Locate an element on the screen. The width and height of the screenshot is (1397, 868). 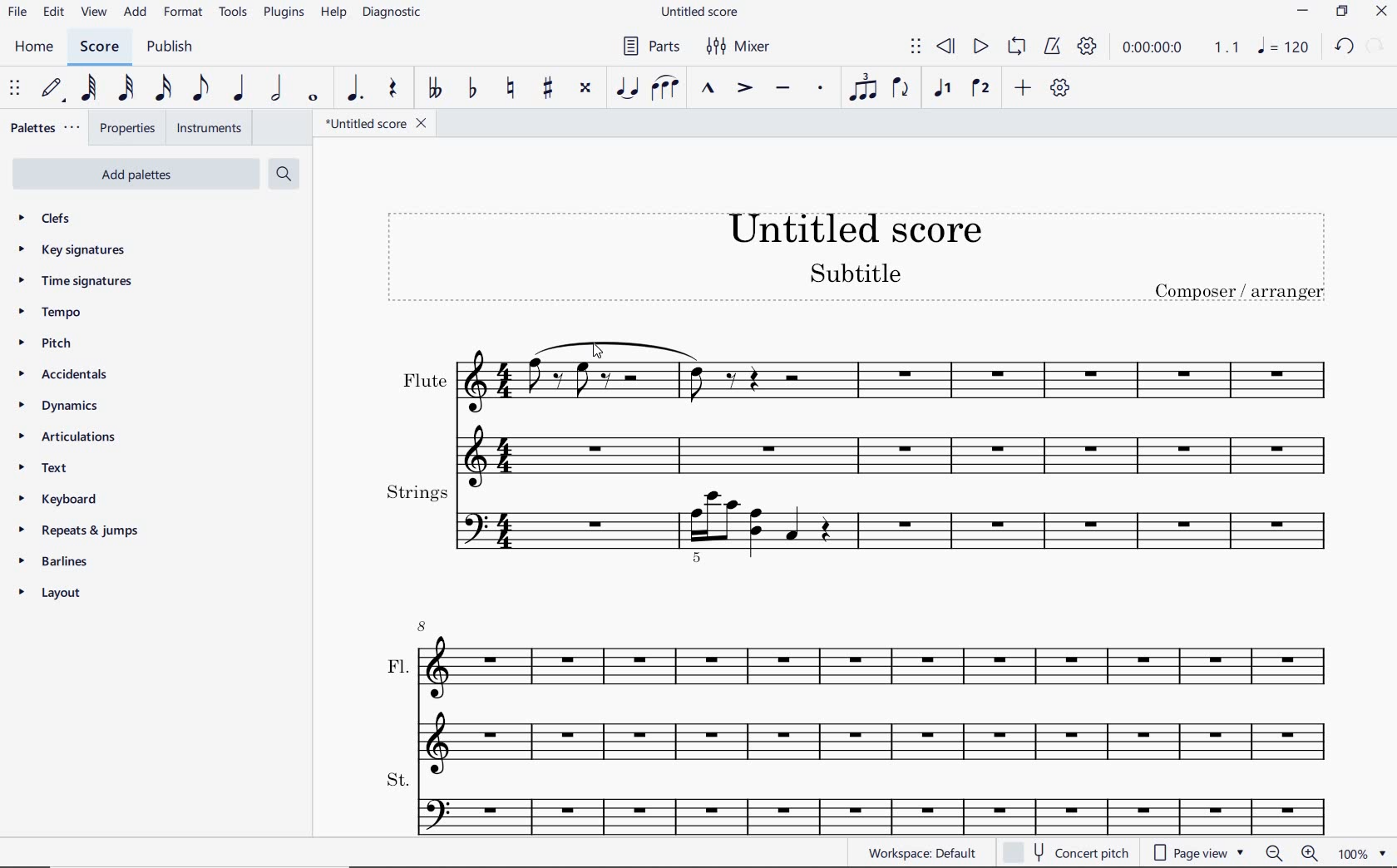
layout is located at coordinates (51, 594).